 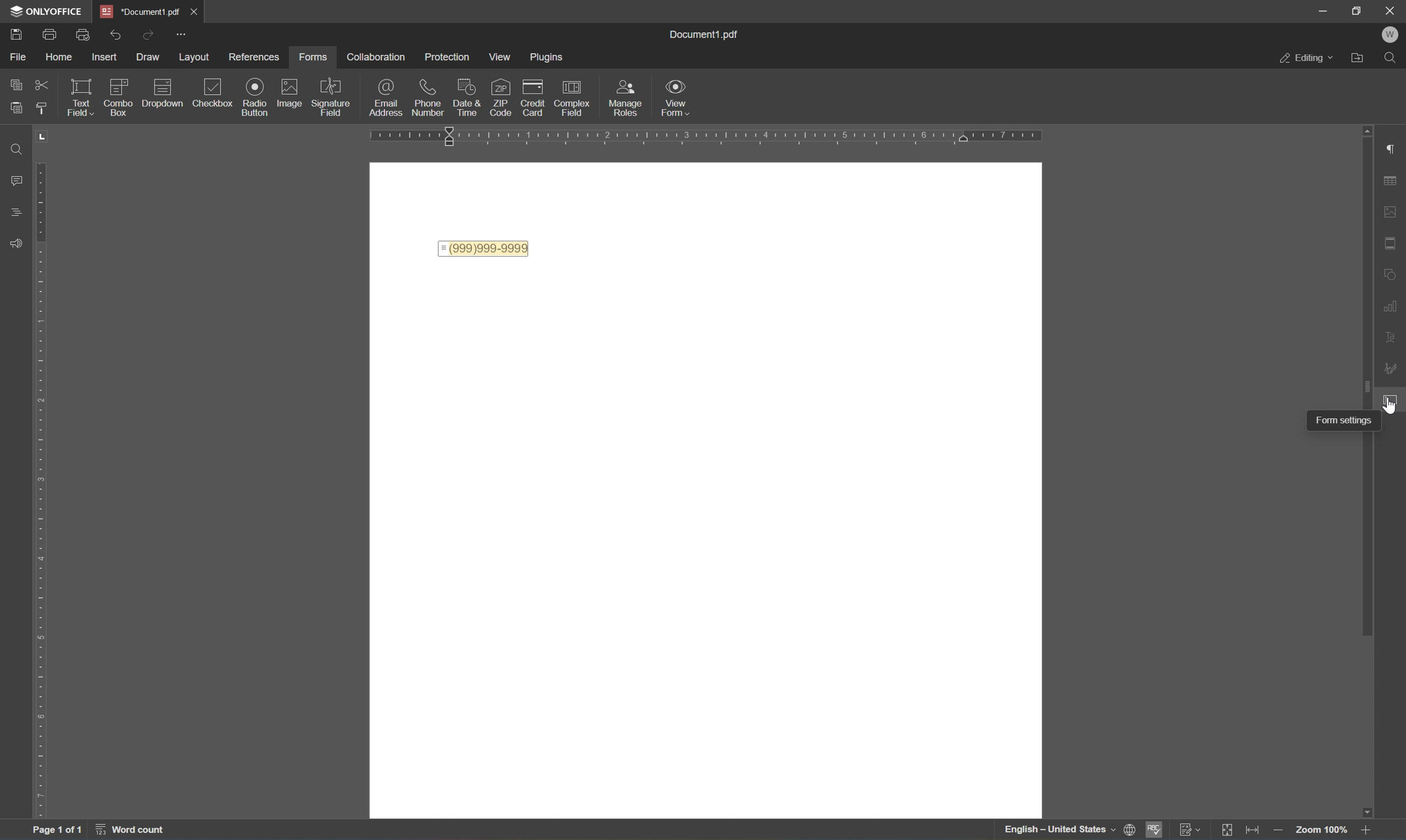 I want to click on restore down, so click(x=1357, y=9).